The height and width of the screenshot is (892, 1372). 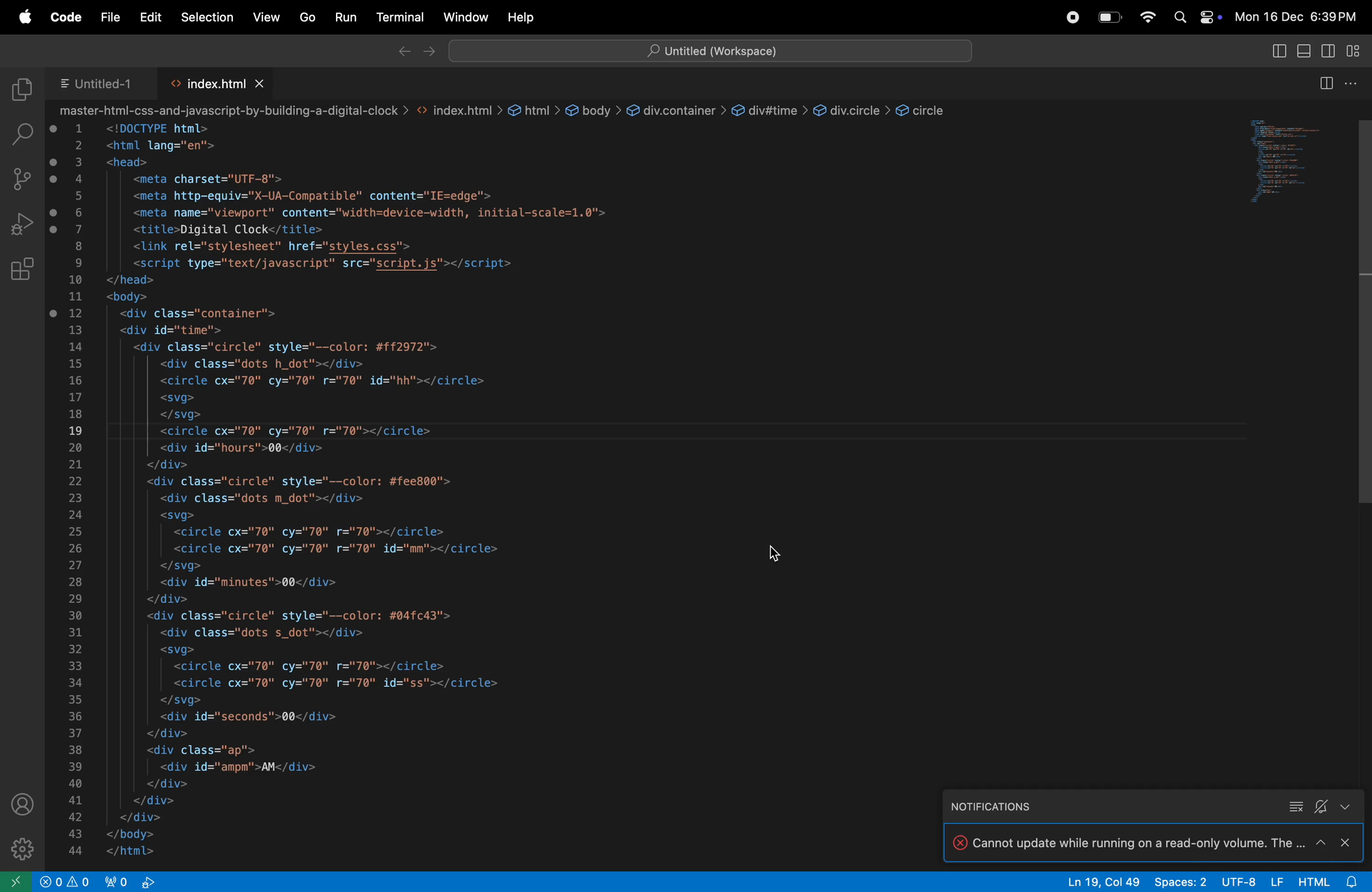 I want to click on view notifications, so click(x=1352, y=879).